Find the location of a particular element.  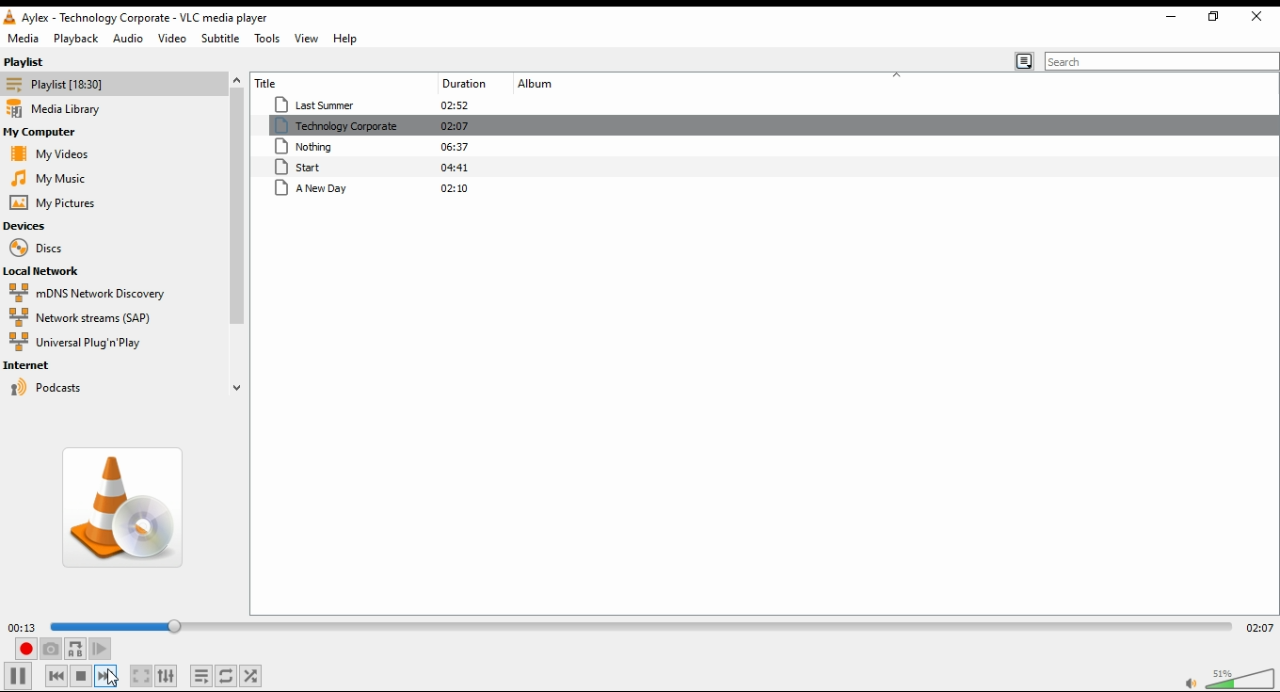

media is located at coordinates (24, 40).